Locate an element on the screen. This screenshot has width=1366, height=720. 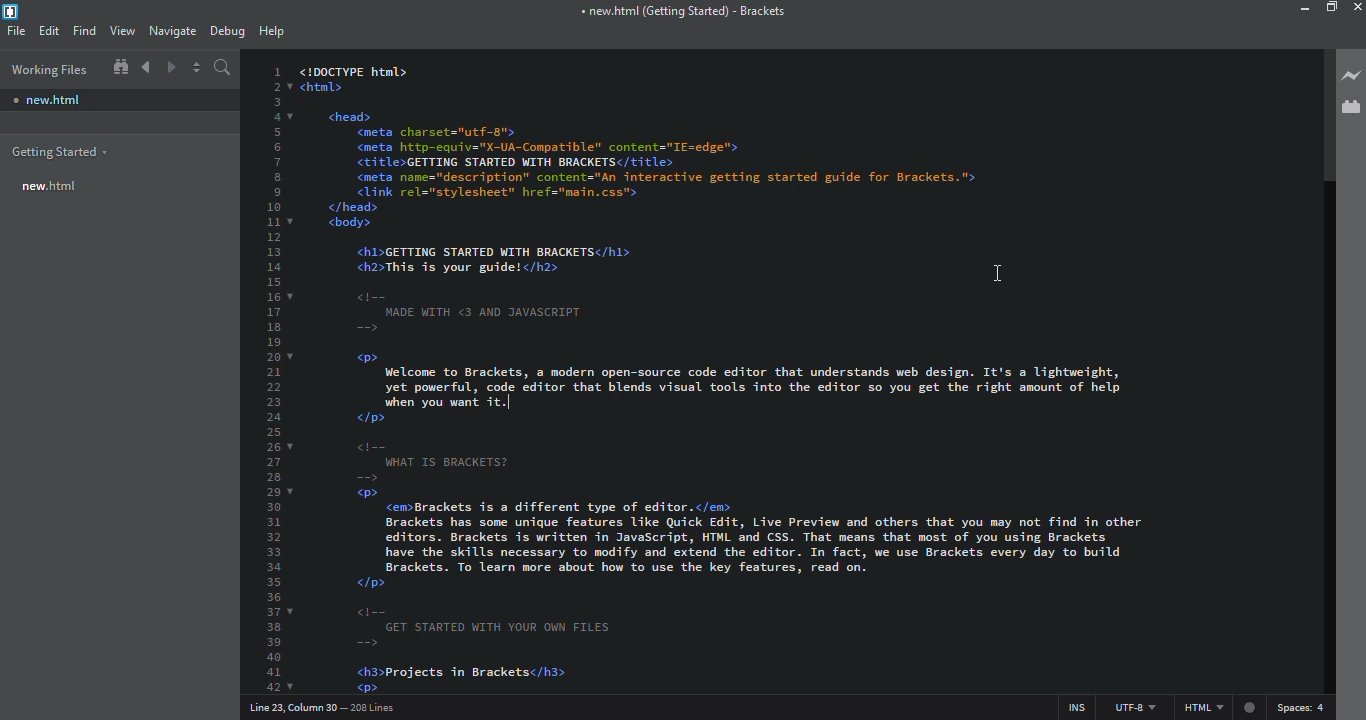
working files is located at coordinates (47, 69).